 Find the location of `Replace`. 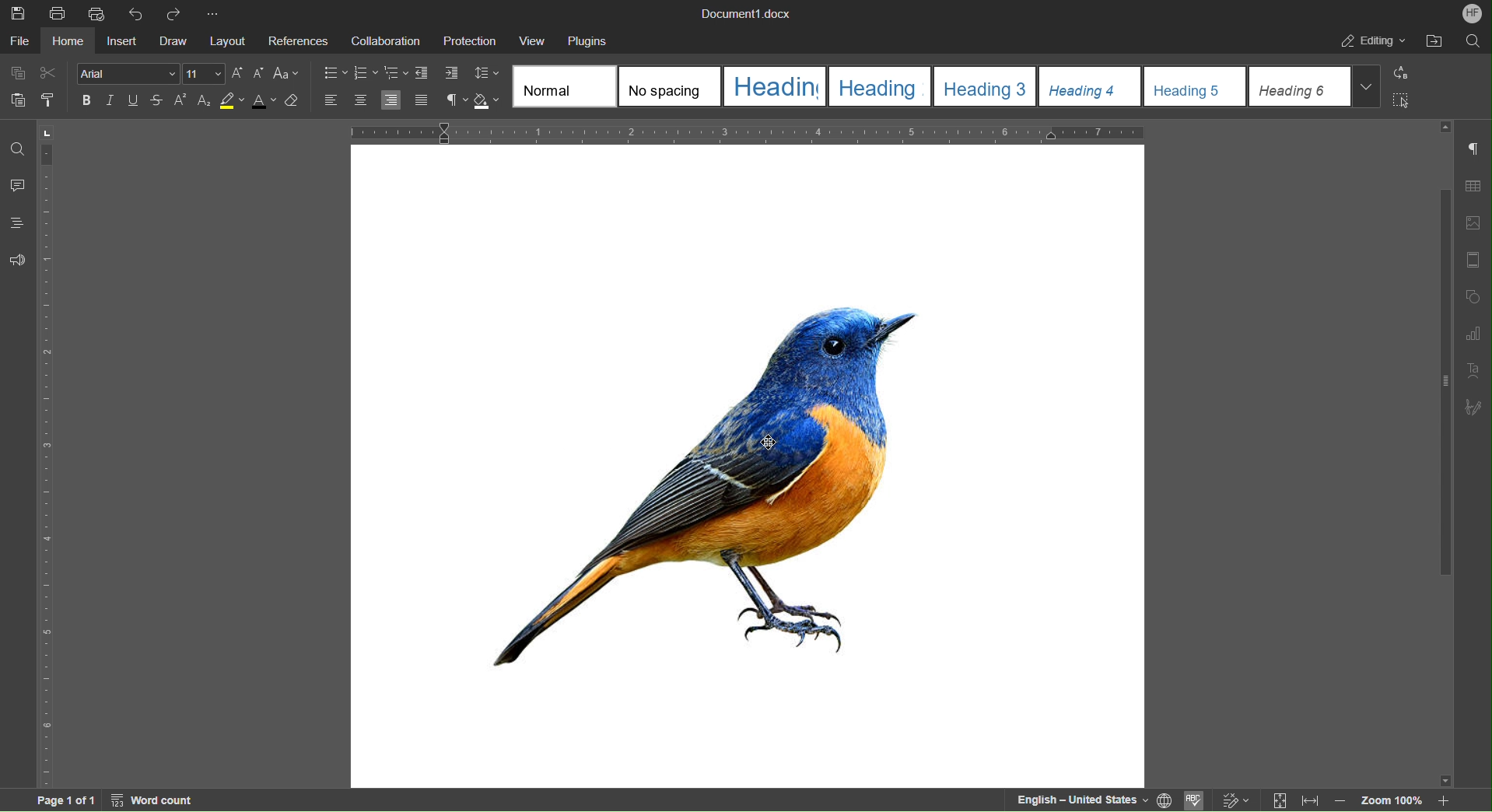

Replace is located at coordinates (1399, 74).